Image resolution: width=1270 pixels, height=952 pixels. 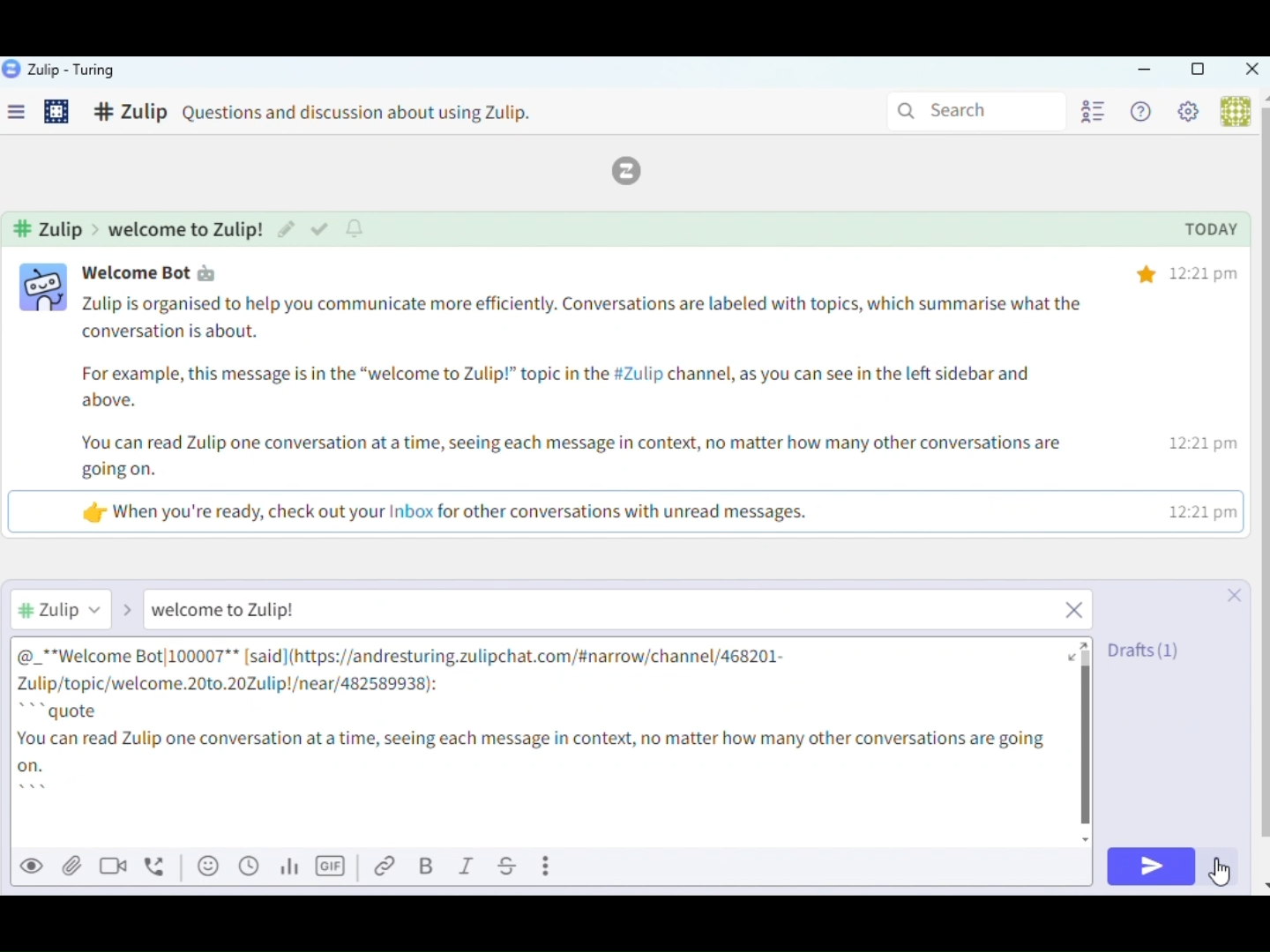 I want to click on today, so click(x=1211, y=231).